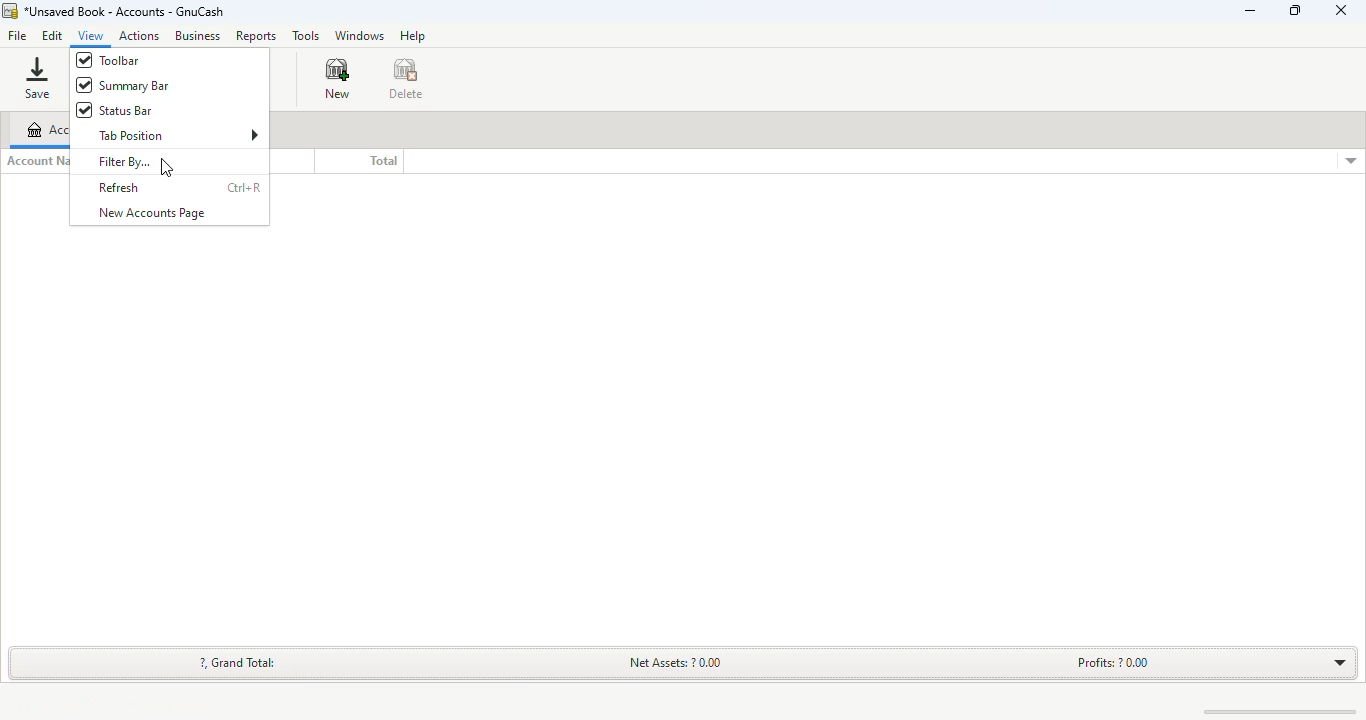 Image resolution: width=1366 pixels, height=720 pixels. What do you see at coordinates (238, 662) in the screenshot?
I see `?, grand total:` at bounding box center [238, 662].